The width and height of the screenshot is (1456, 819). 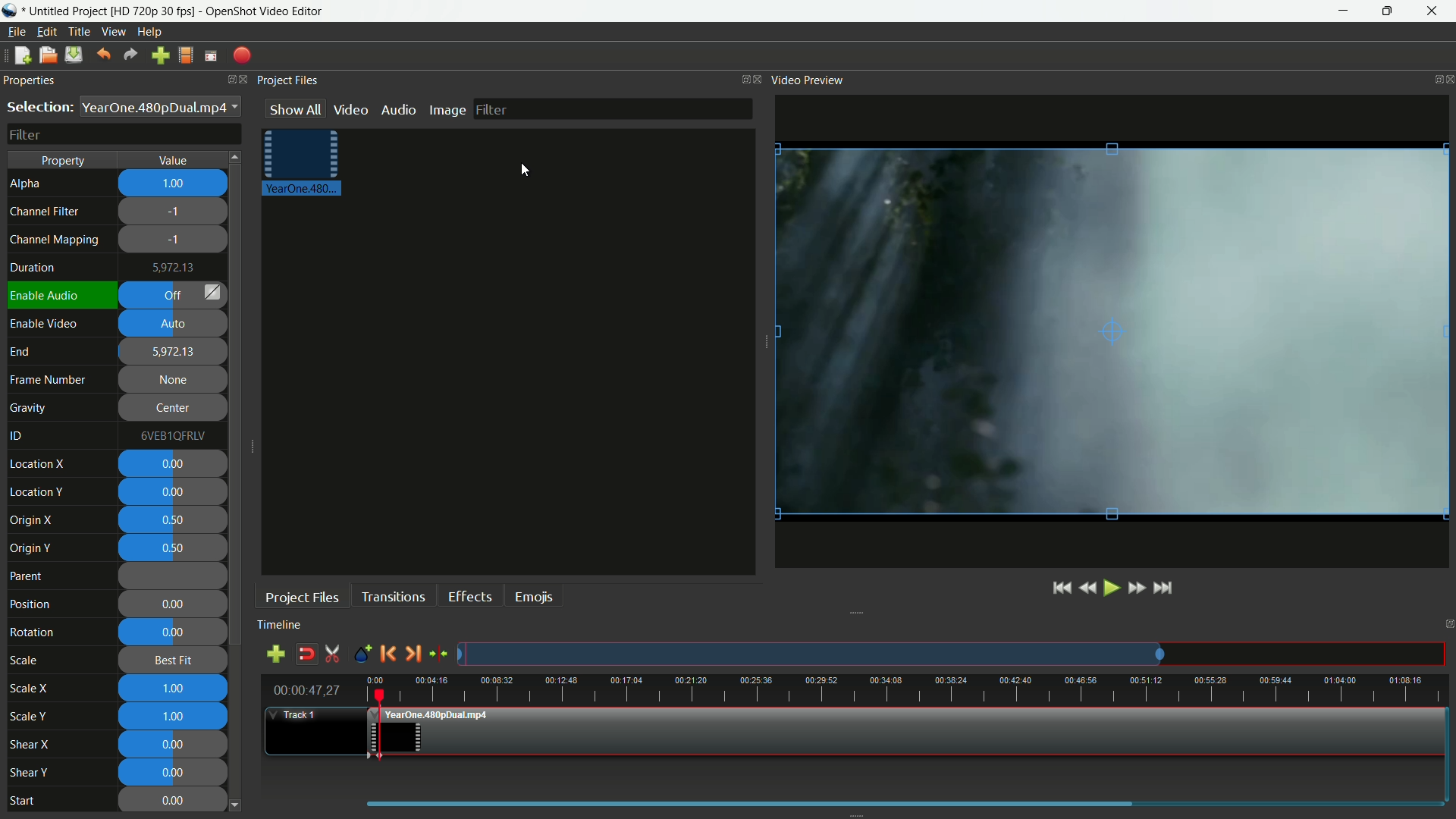 I want to click on scale x, so click(x=29, y=689).